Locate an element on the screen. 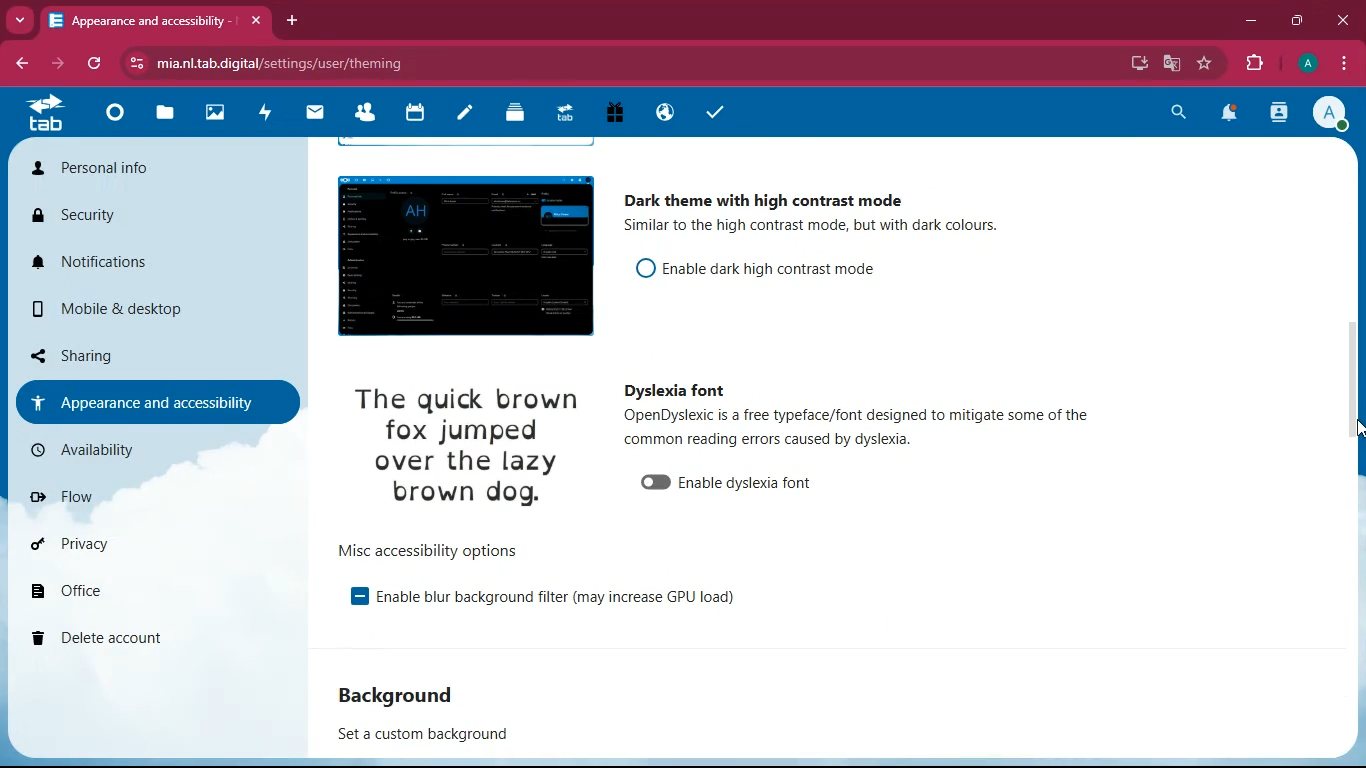 The height and width of the screenshot is (768, 1366). home is located at coordinates (118, 117).